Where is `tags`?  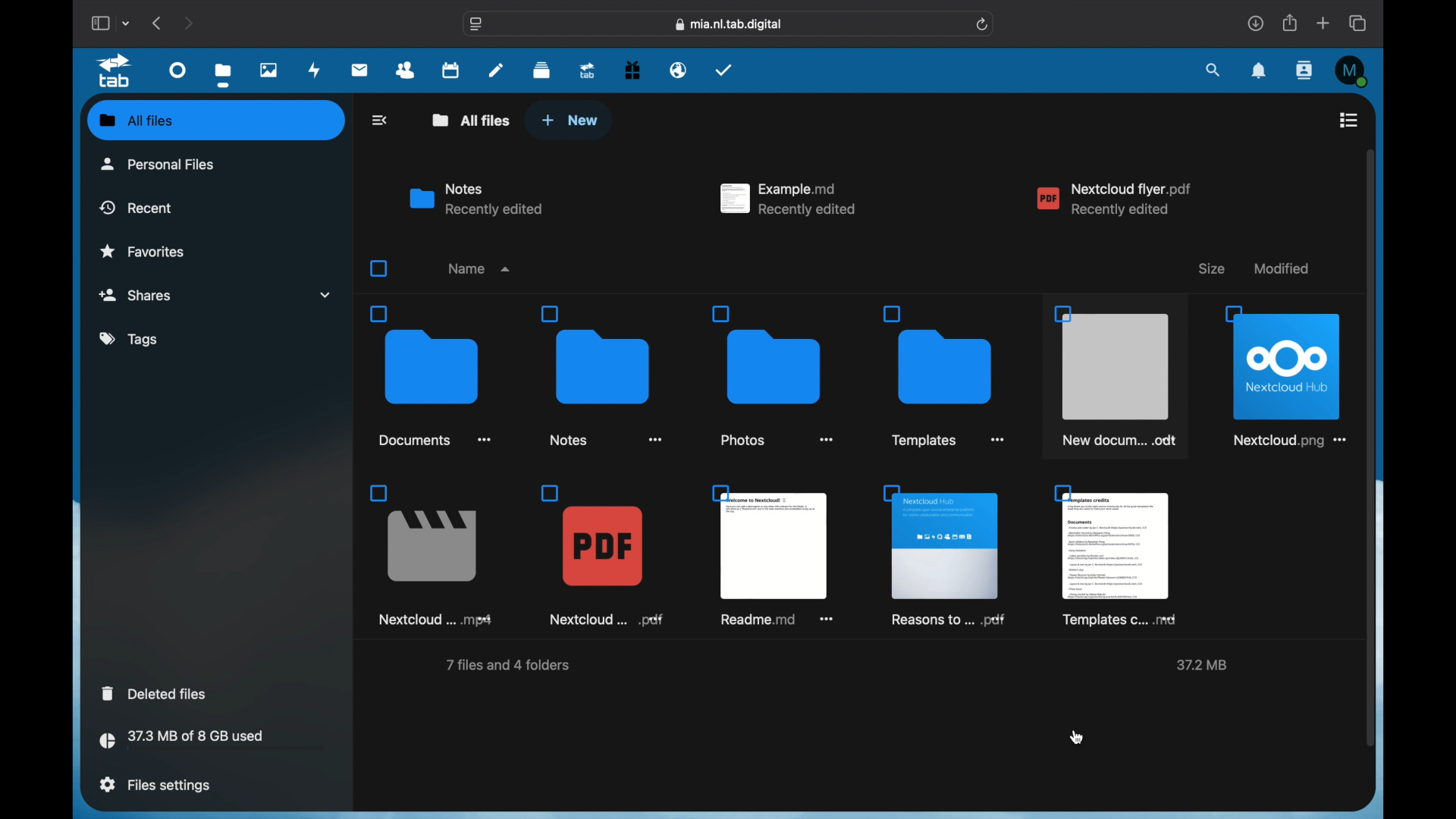 tags is located at coordinates (130, 340).